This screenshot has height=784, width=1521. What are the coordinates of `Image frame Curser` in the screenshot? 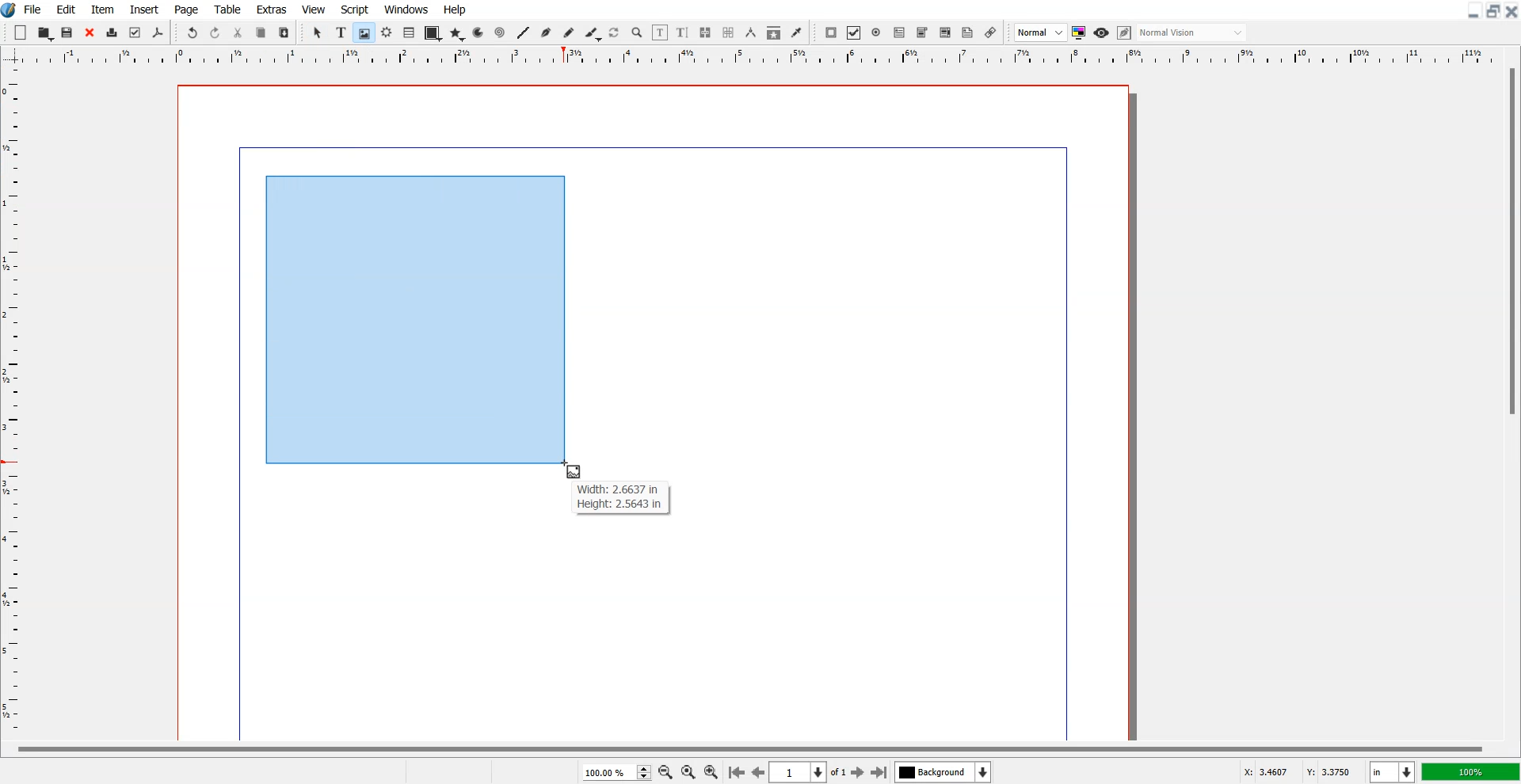 It's located at (575, 471).